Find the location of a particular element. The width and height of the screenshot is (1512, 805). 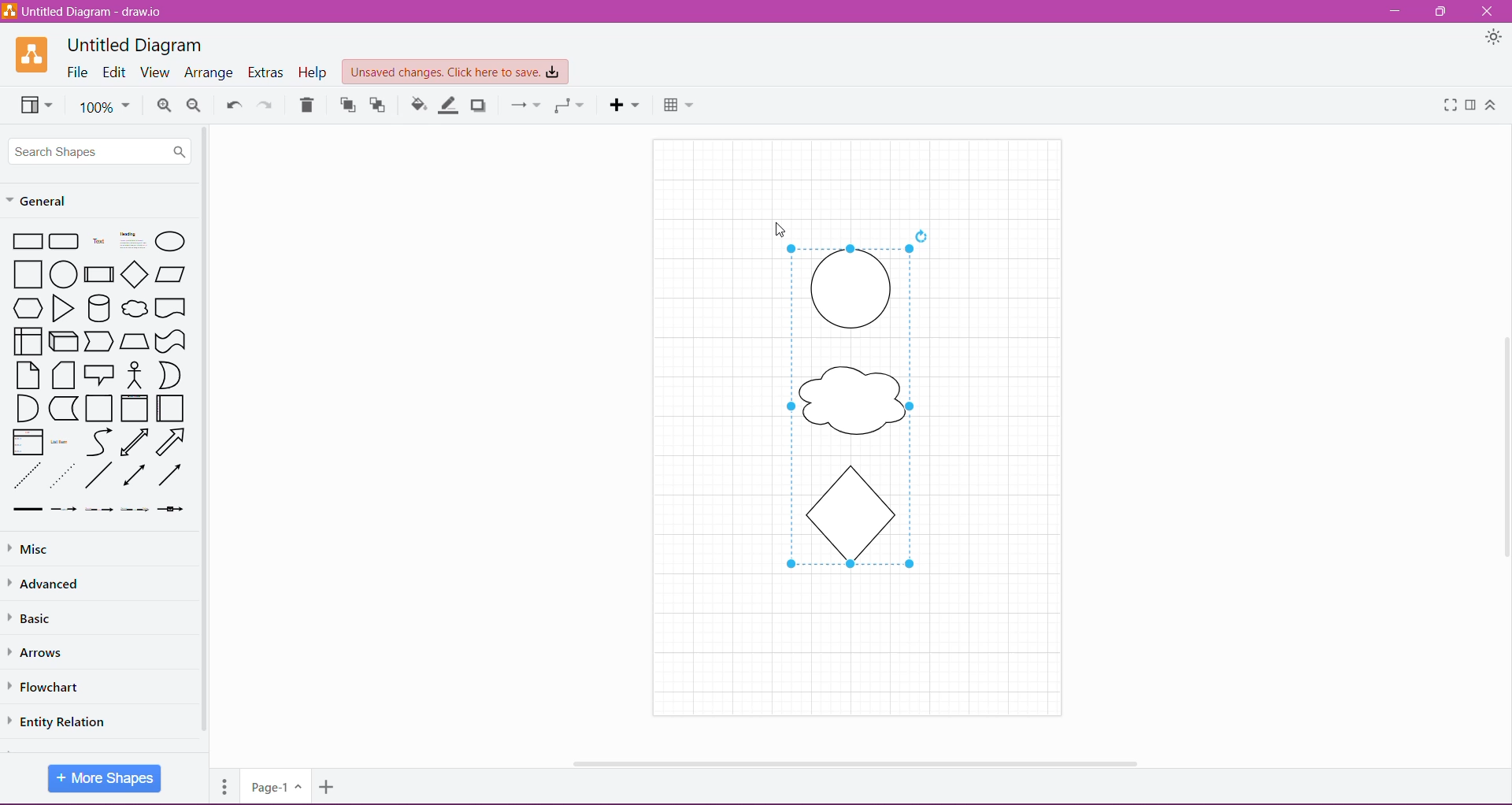

Extras is located at coordinates (267, 72).